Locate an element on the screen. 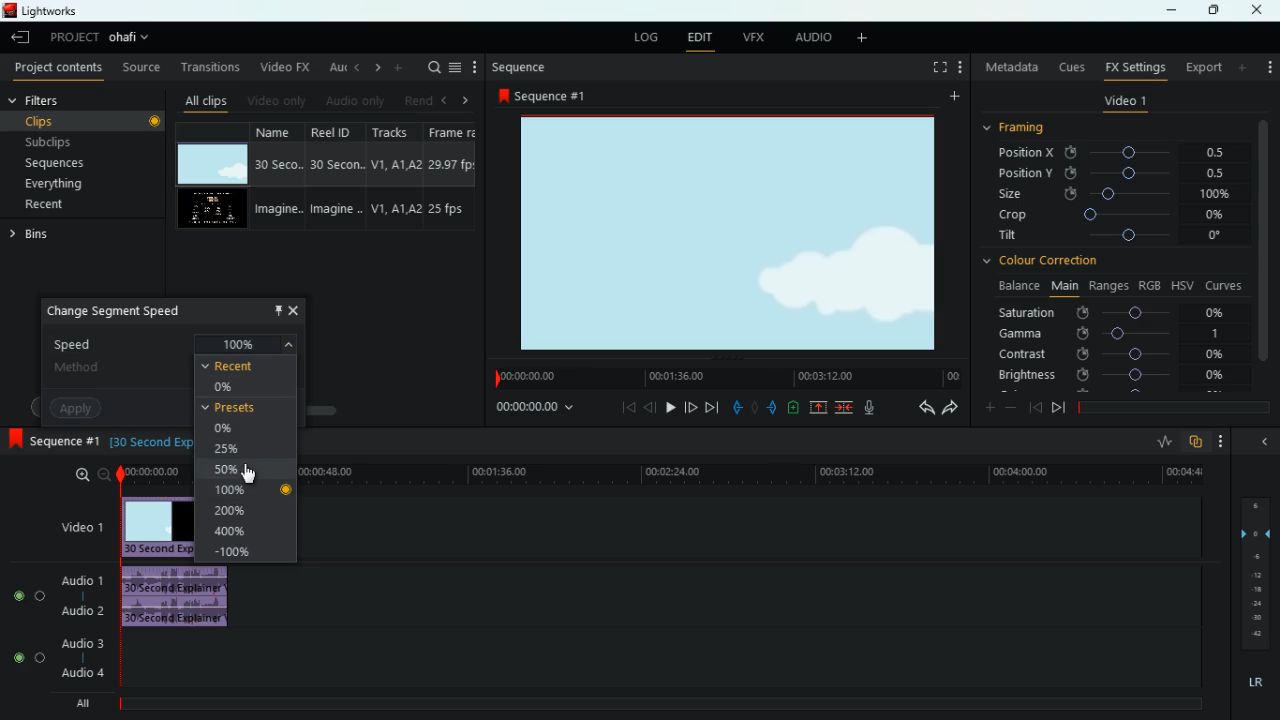  lr is located at coordinates (1253, 679).